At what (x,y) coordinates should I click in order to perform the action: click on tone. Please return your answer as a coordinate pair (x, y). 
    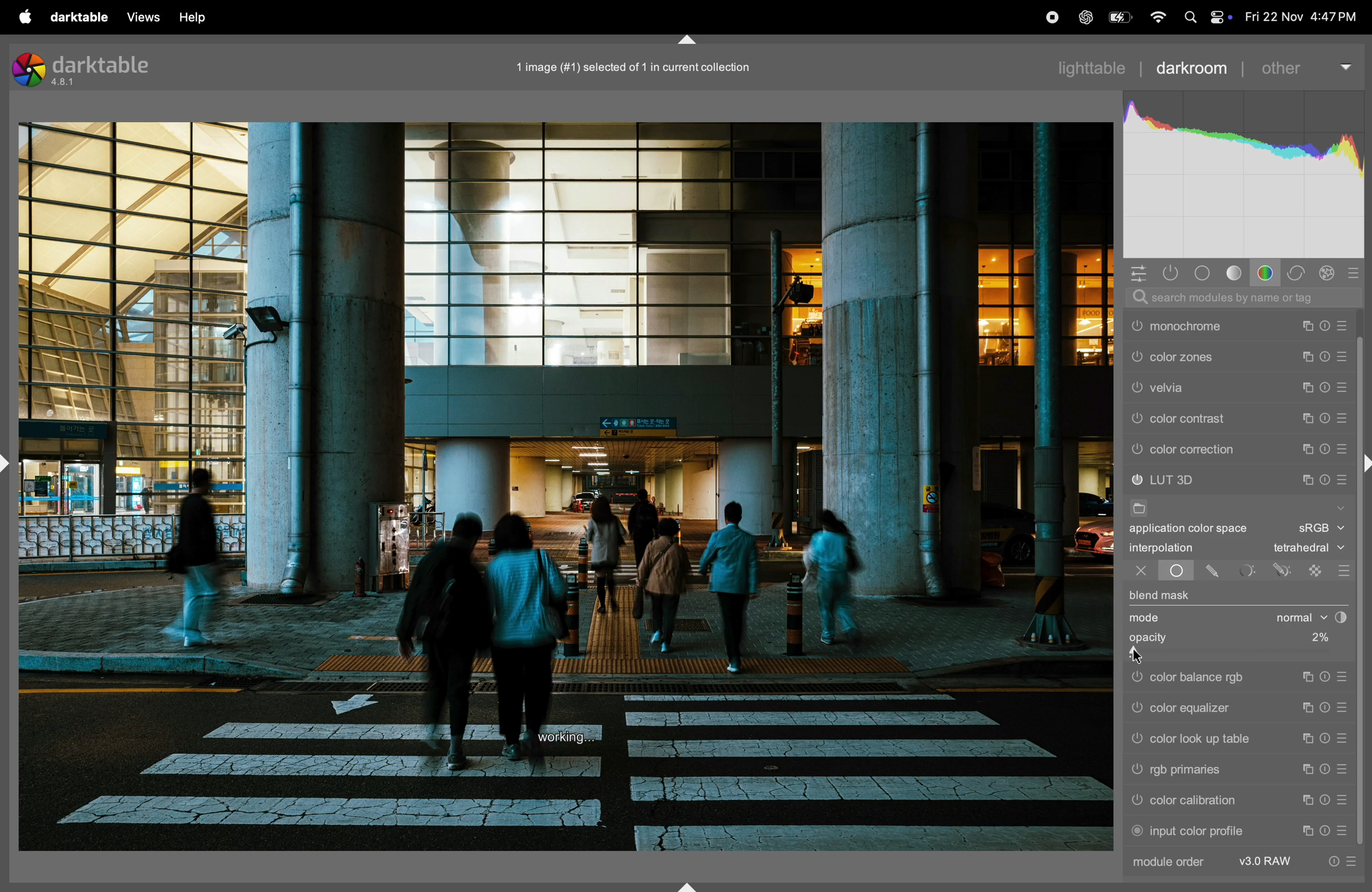
    Looking at the image, I should click on (1234, 274).